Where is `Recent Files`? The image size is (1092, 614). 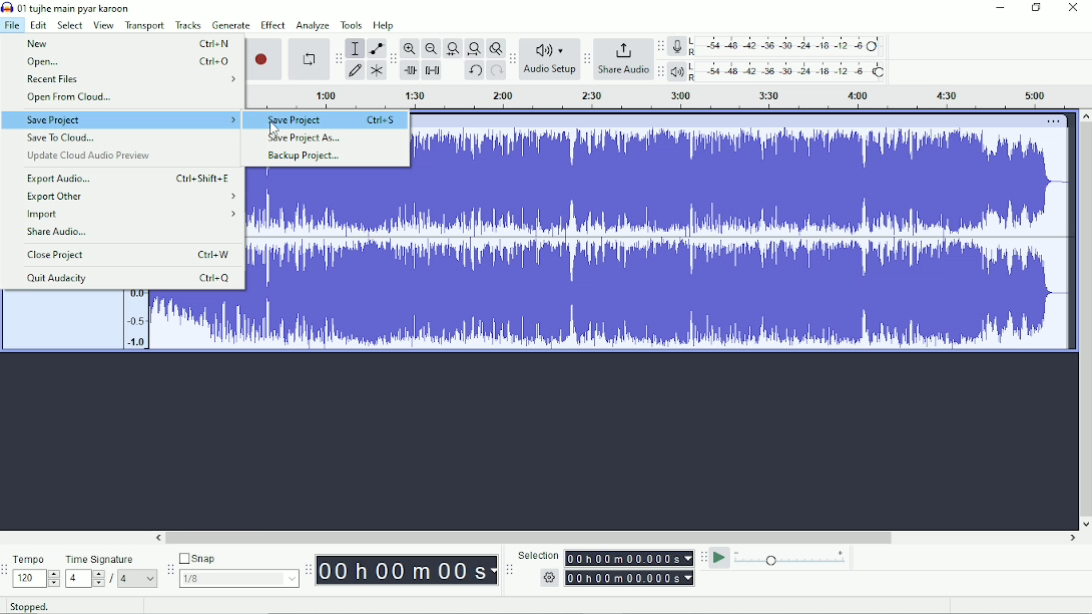 Recent Files is located at coordinates (127, 79).